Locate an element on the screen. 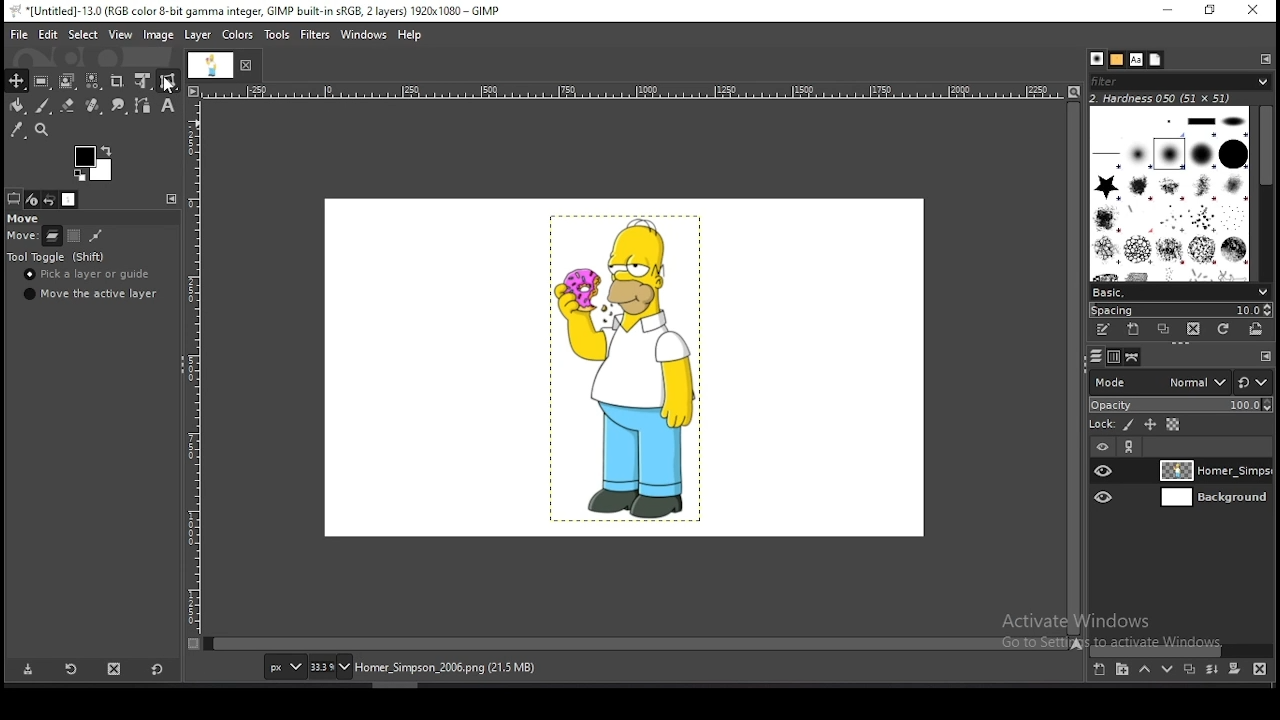  color picker tool is located at coordinates (17, 129).